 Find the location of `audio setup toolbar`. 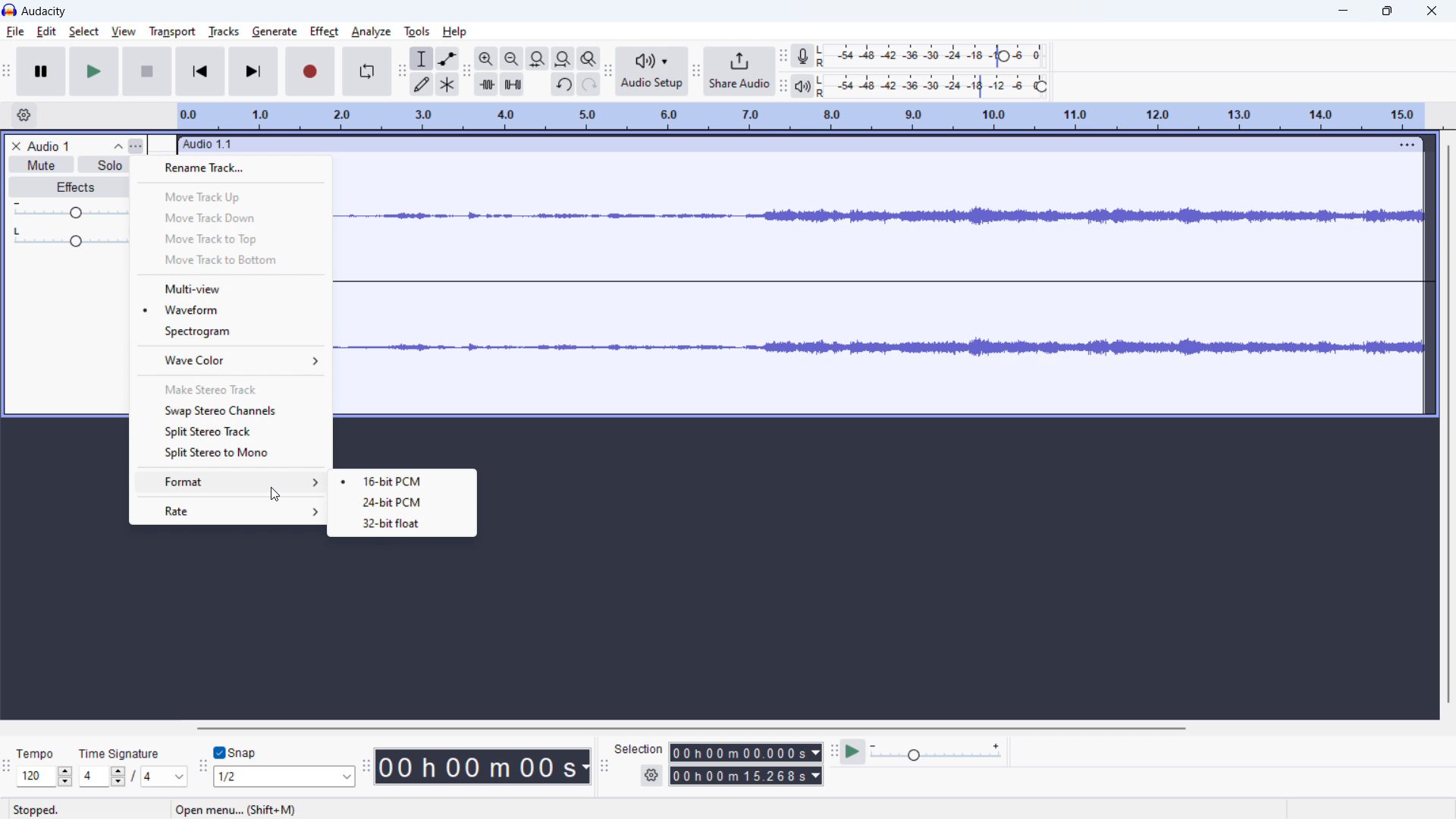

audio setup toolbar is located at coordinates (607, 72).